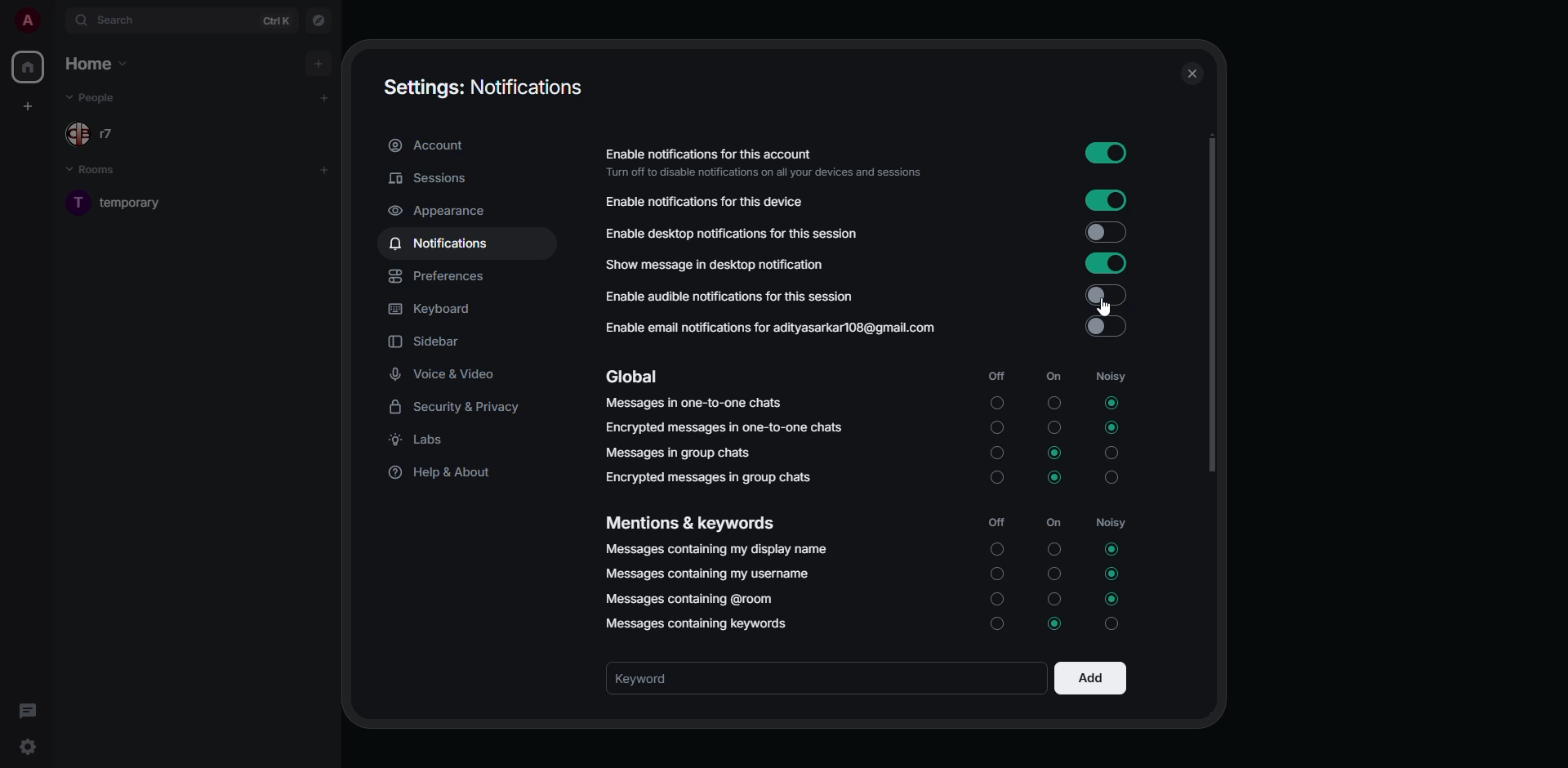 This screenshot has height=768, width=1568. I want to click on global, so click(634, 377).